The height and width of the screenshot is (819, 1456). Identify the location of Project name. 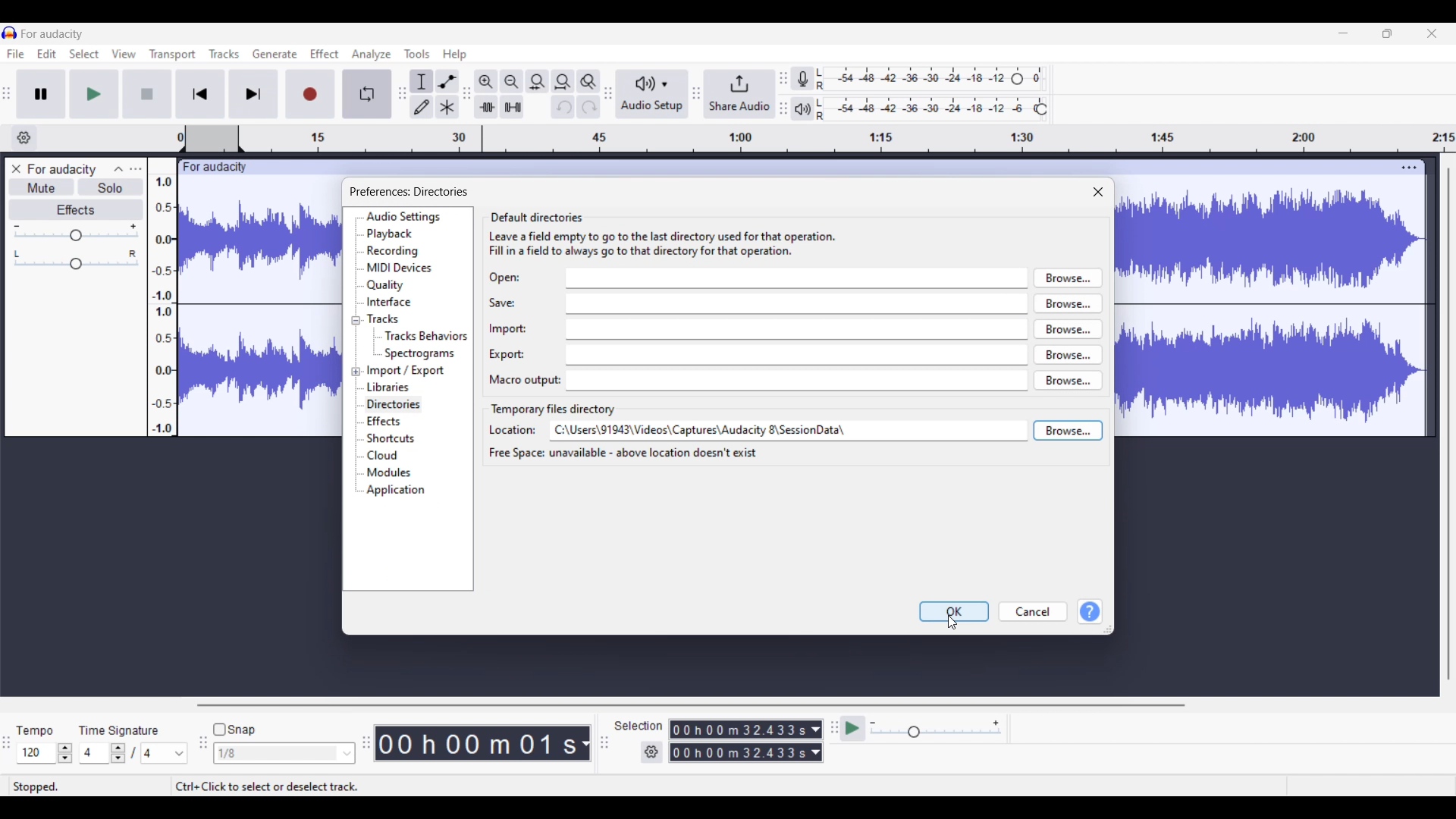
(61, 170).